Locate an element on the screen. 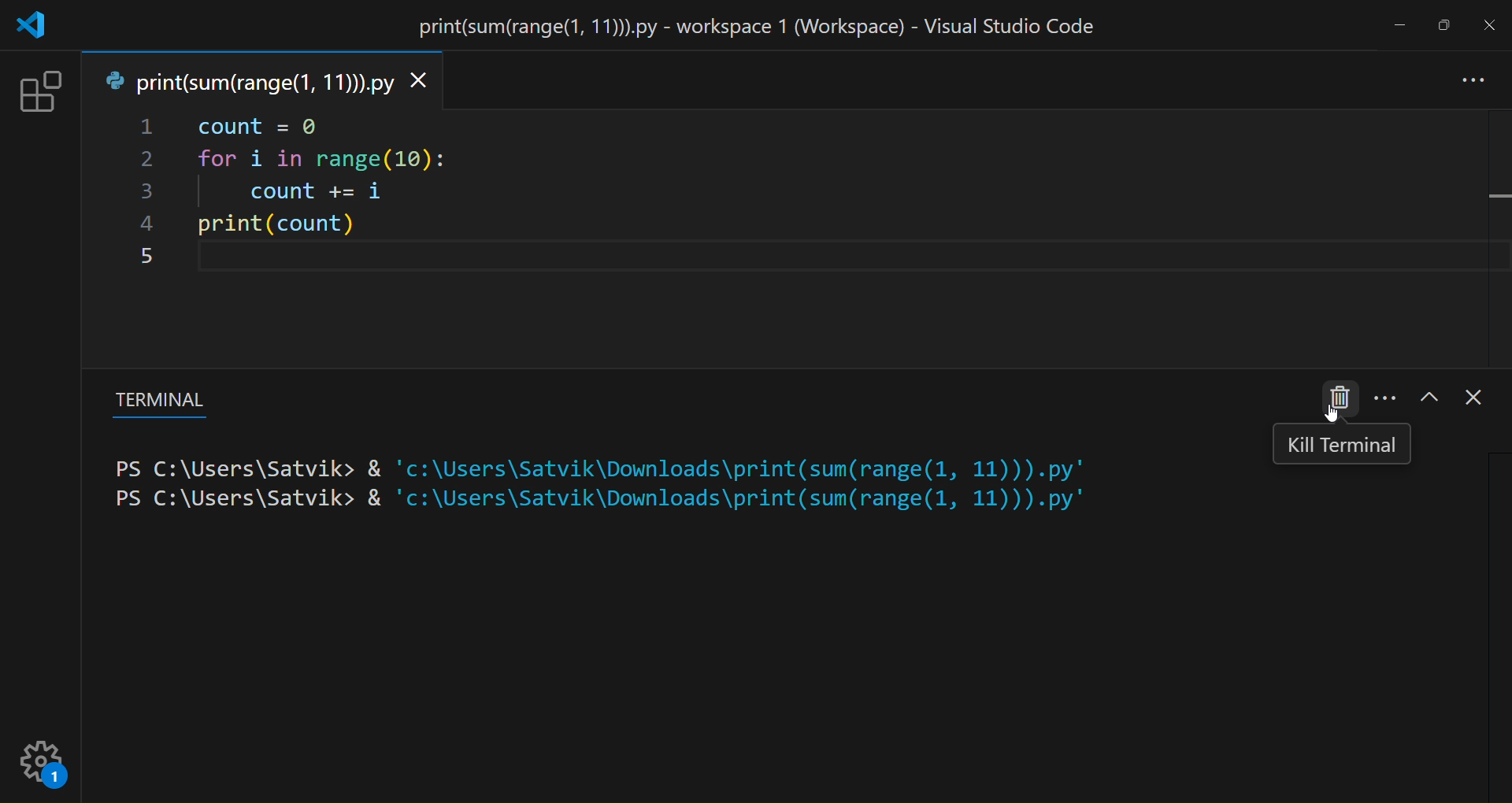 This screenshot has height=803, width=1512. vertical scroll bar is located at coordinates (1497, 224).